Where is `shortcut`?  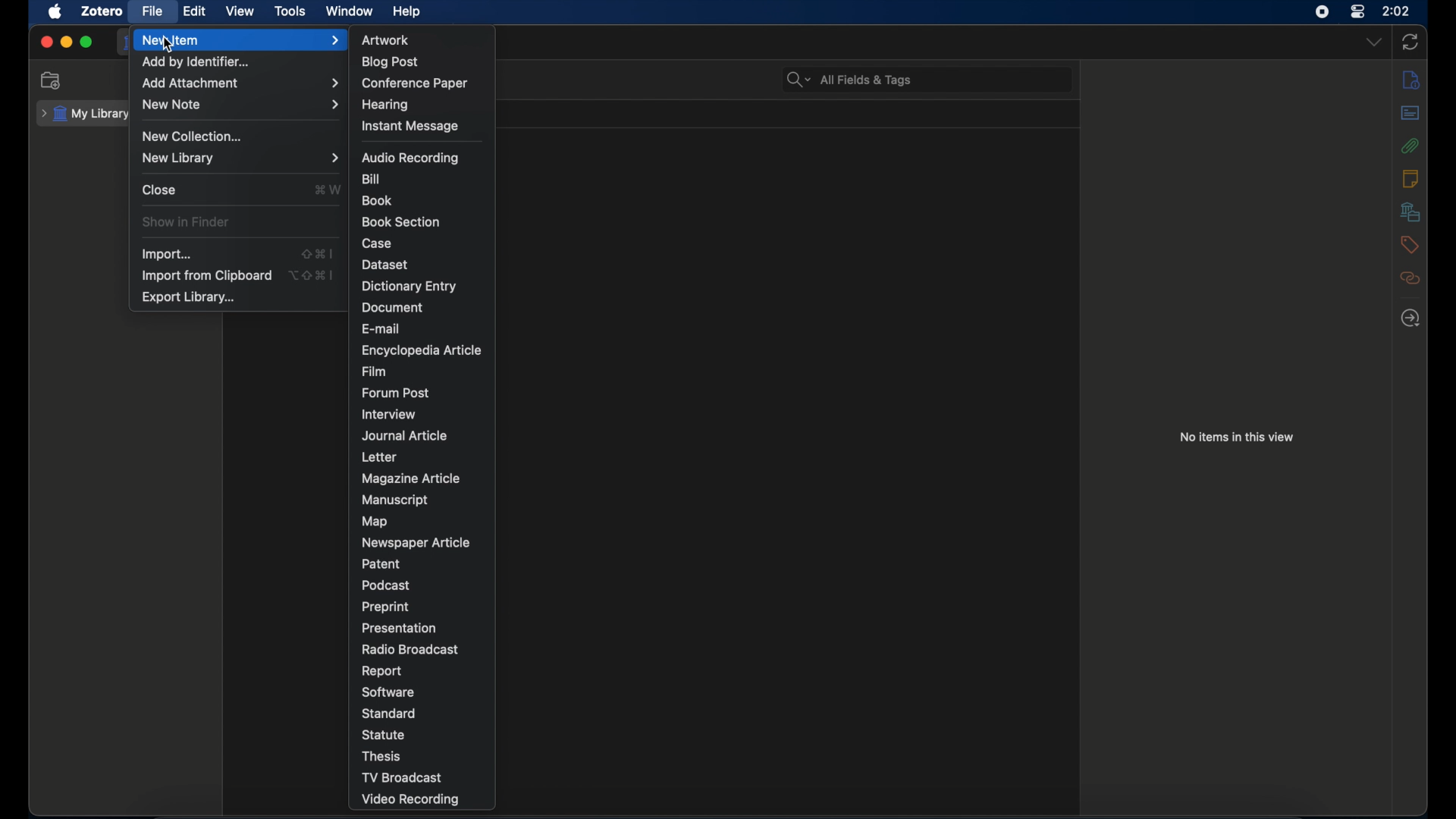 shortcut is located at coordinates (328, 190).